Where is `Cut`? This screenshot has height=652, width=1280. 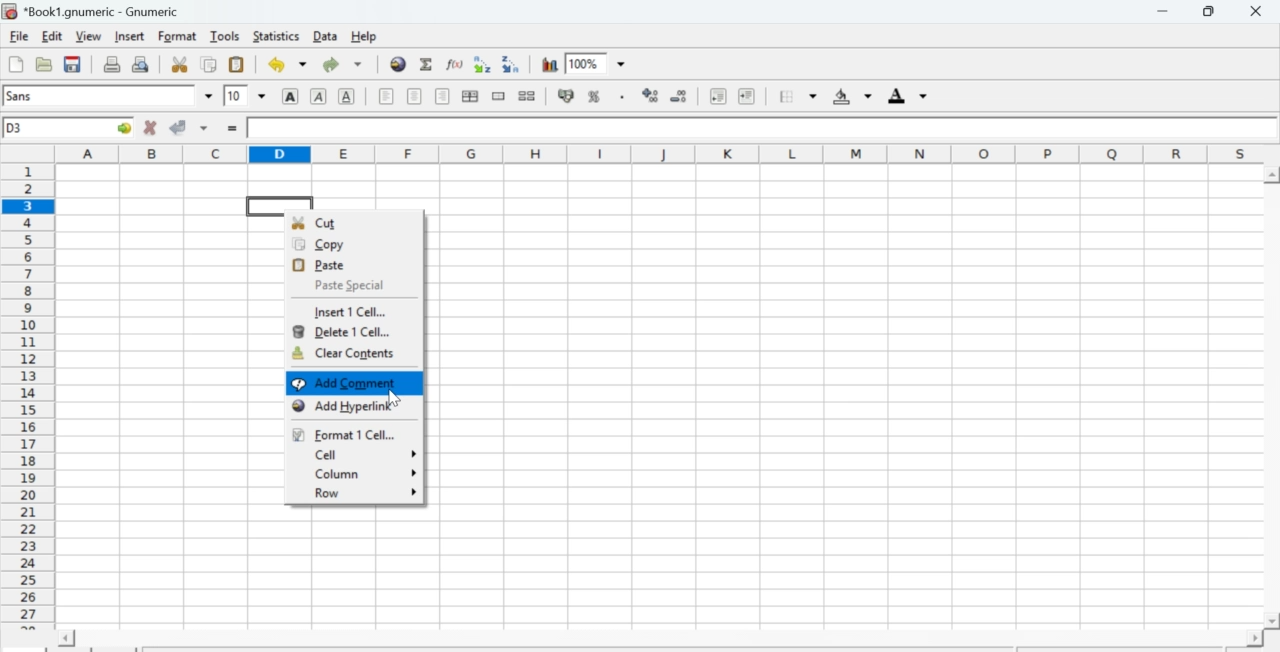 Cut is located at coordinates (180, 64).